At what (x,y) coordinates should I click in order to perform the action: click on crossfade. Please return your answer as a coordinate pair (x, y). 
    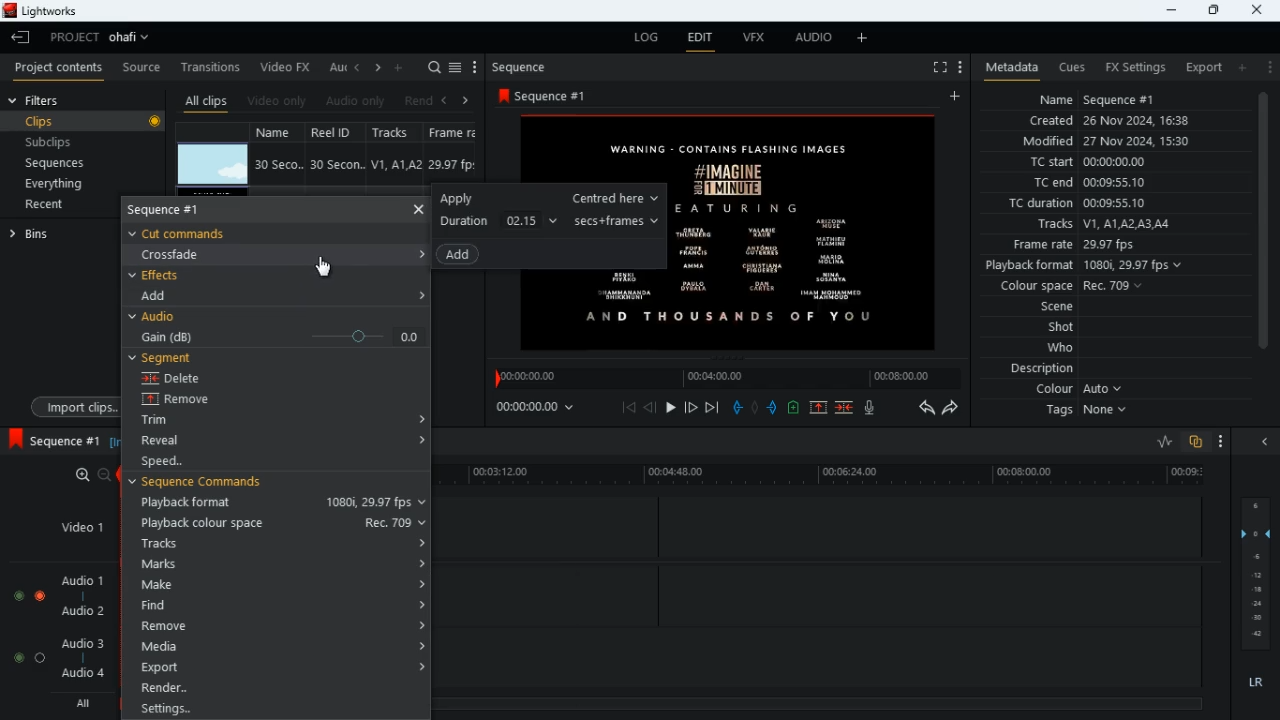
    Looking at the image, I should click on (182, 254).